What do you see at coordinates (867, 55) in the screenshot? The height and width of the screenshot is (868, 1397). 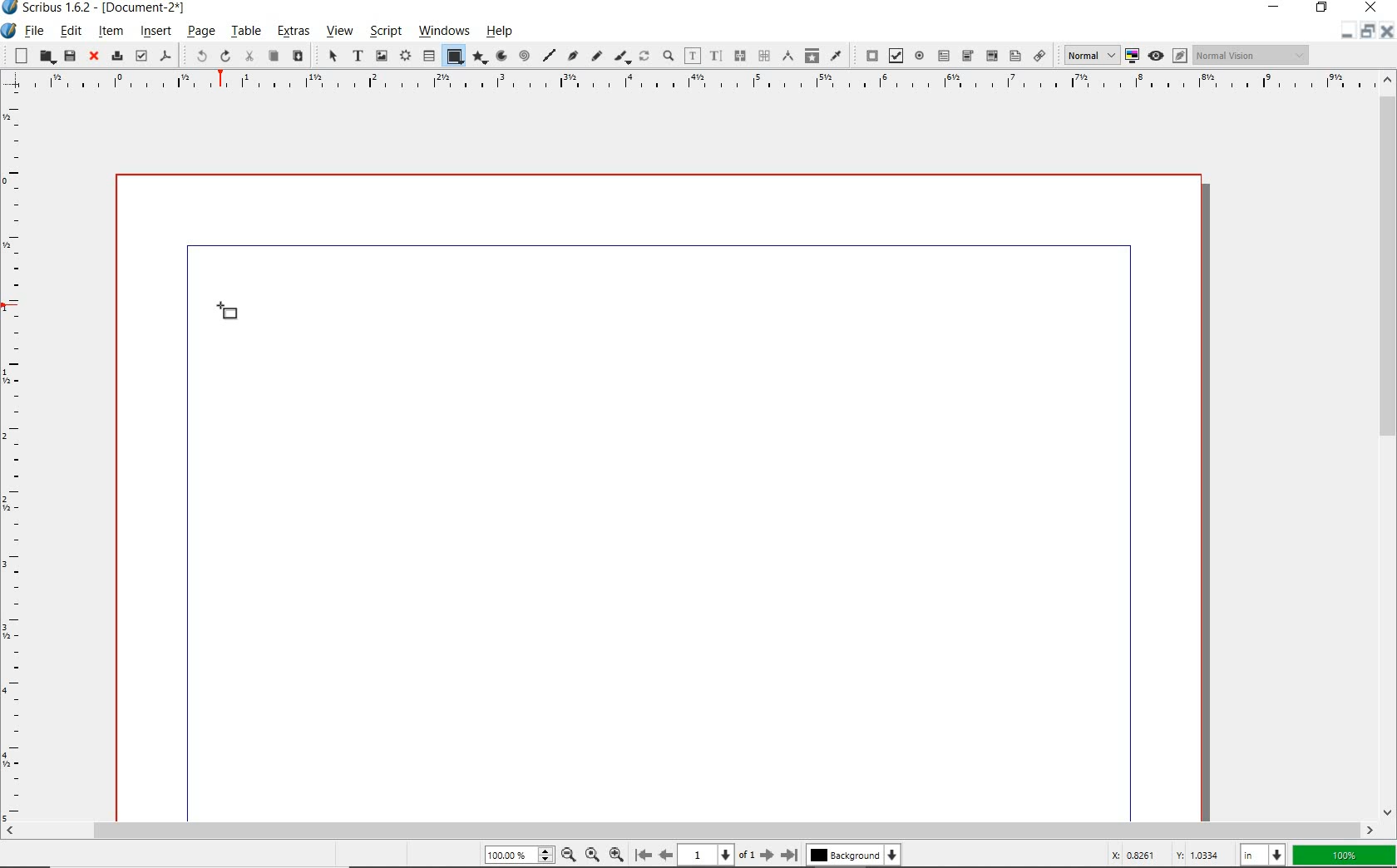 I see `pdf push button` at bounding box center [867, 55].